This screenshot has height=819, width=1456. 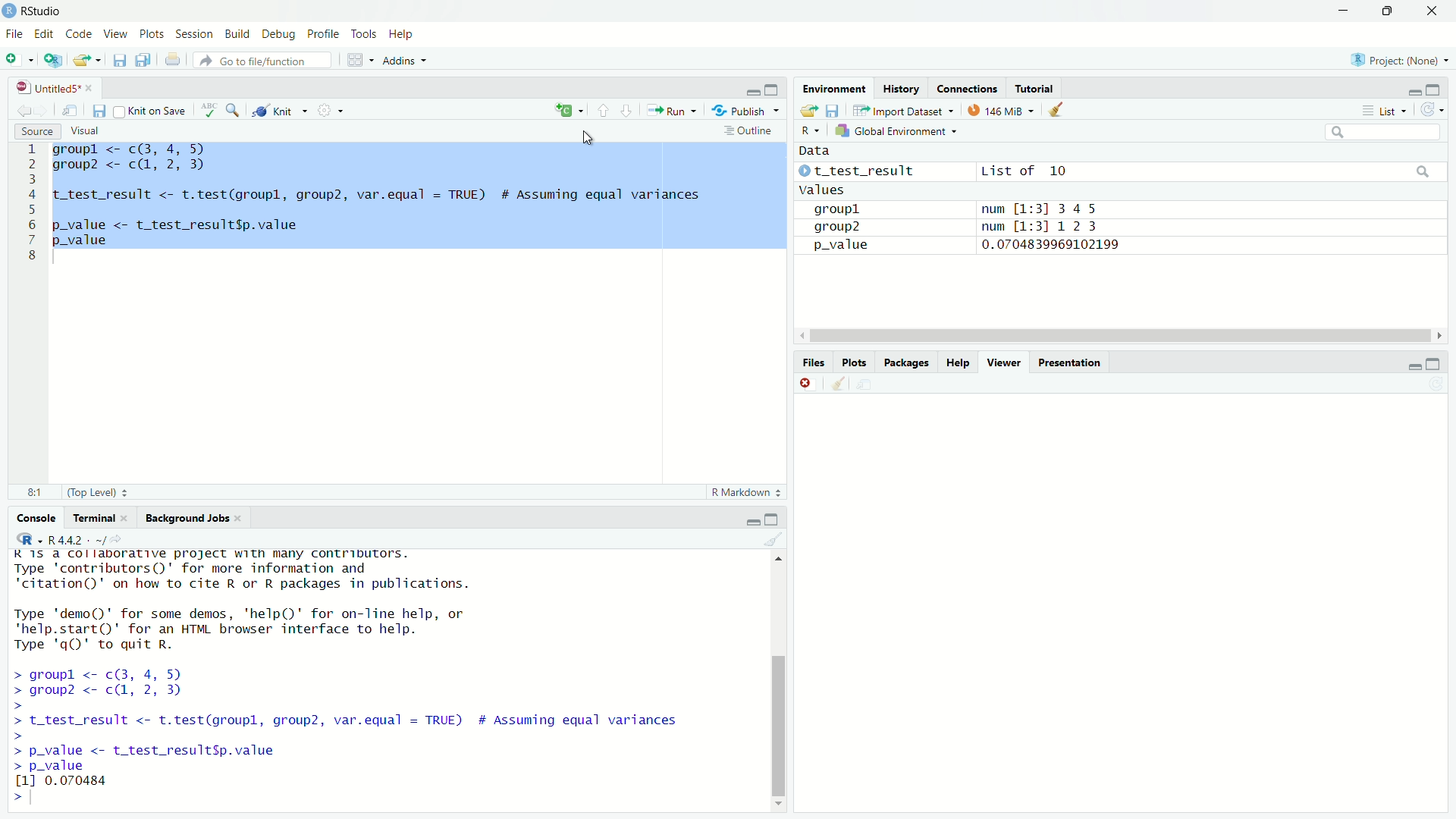 What do you see at coordinates (999, 110) in the screenshot?
I see `© 145MiB ~` at bounding box center [999, 110].